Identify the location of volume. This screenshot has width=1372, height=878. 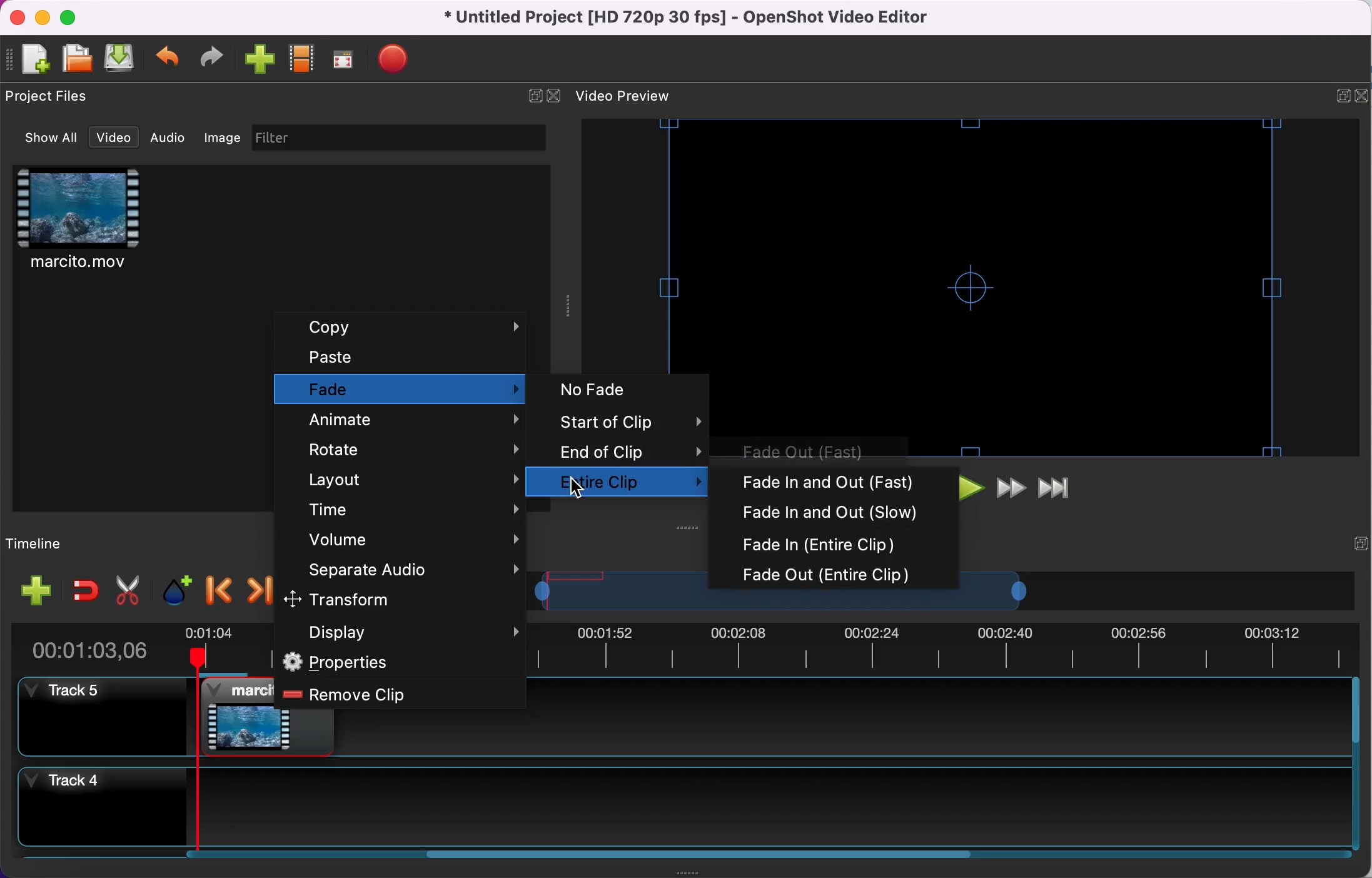
(407, 540).